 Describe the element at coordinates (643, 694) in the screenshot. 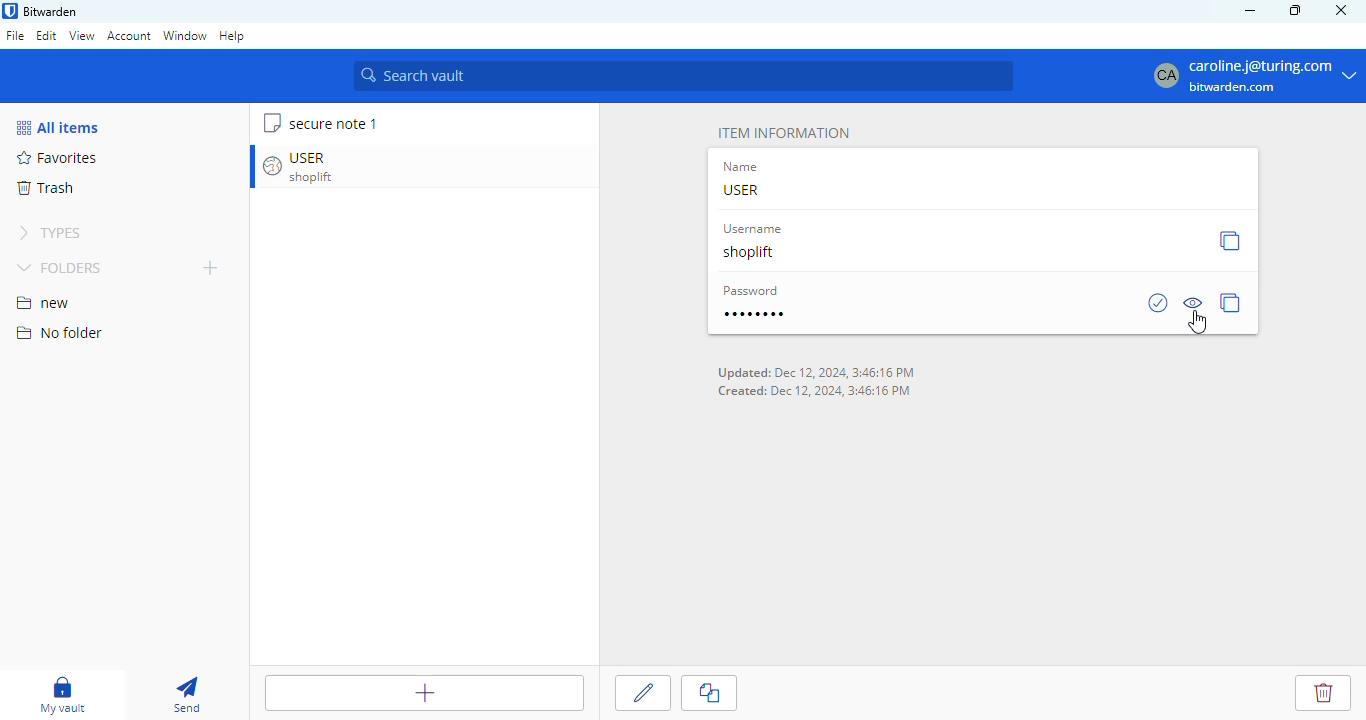

I see `edit` at that location.